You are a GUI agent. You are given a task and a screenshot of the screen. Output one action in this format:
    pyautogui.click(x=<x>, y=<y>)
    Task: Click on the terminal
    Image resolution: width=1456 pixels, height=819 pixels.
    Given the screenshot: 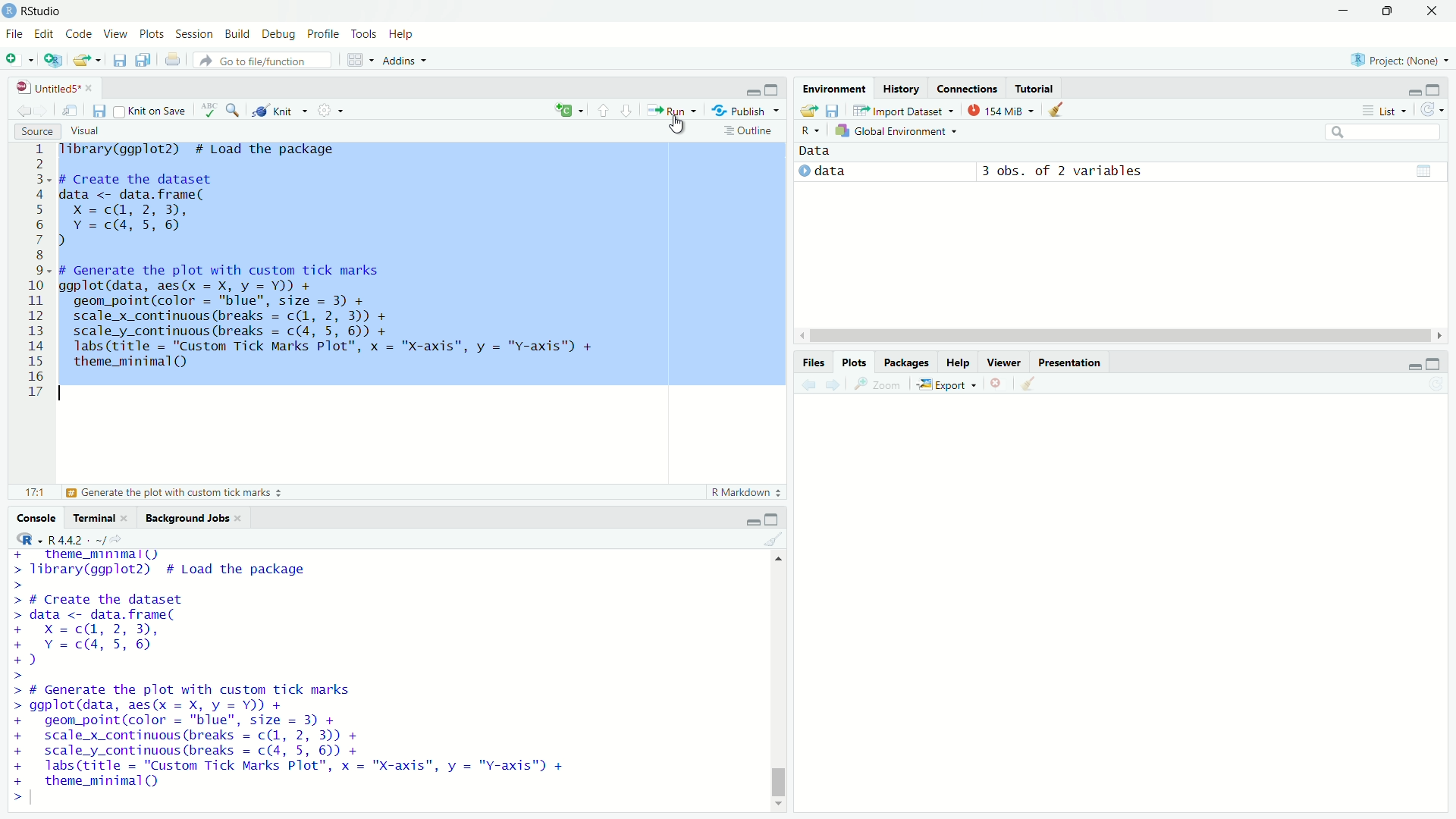 What is the action you would take?
    pyautogui.click(x=93, y=518)
    